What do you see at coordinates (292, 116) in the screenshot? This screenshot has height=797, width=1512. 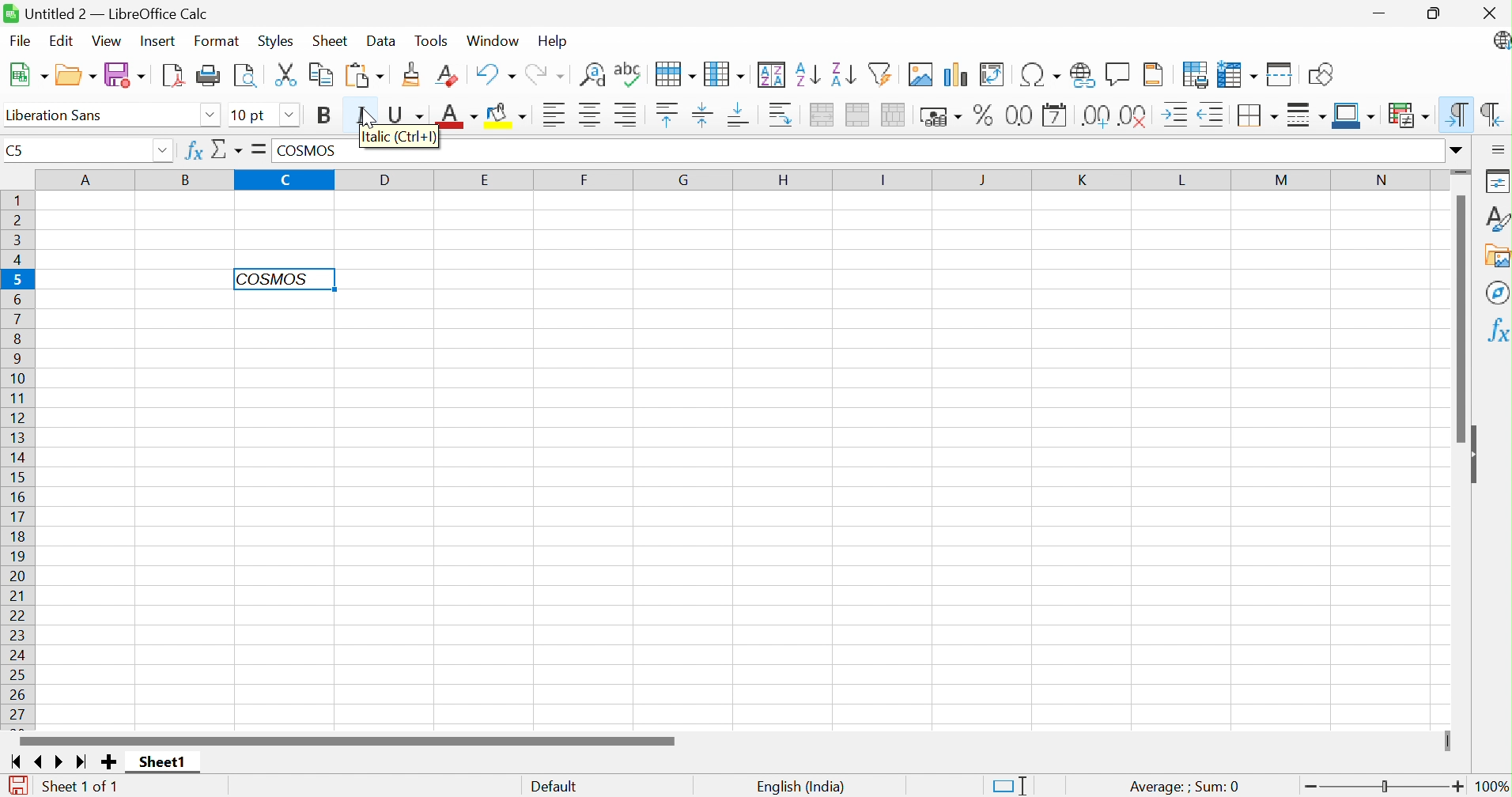 I see `Drop down` at bounding box center [292, 116].